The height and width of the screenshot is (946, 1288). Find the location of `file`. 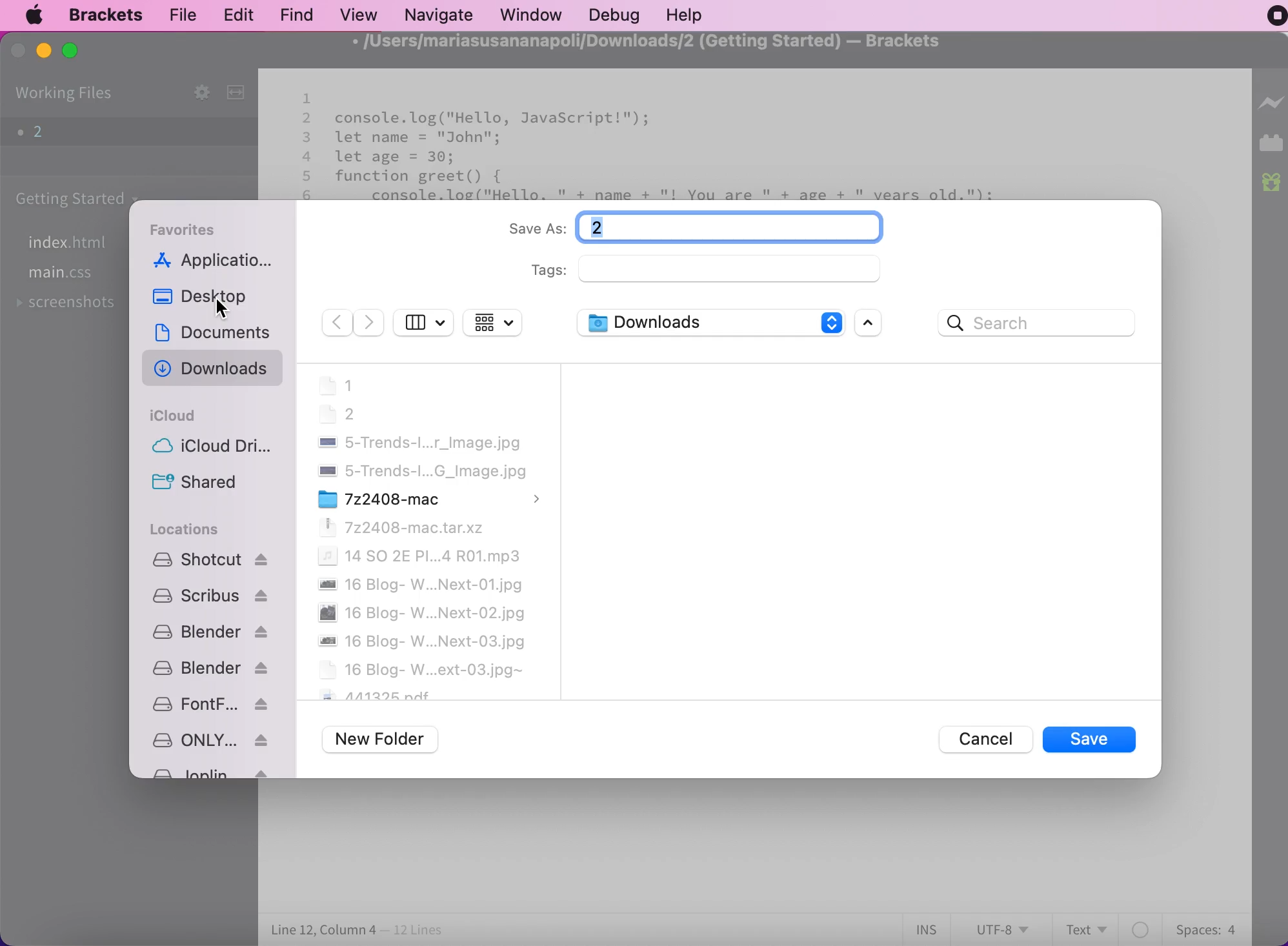

file is located at coordinates (183, 15).